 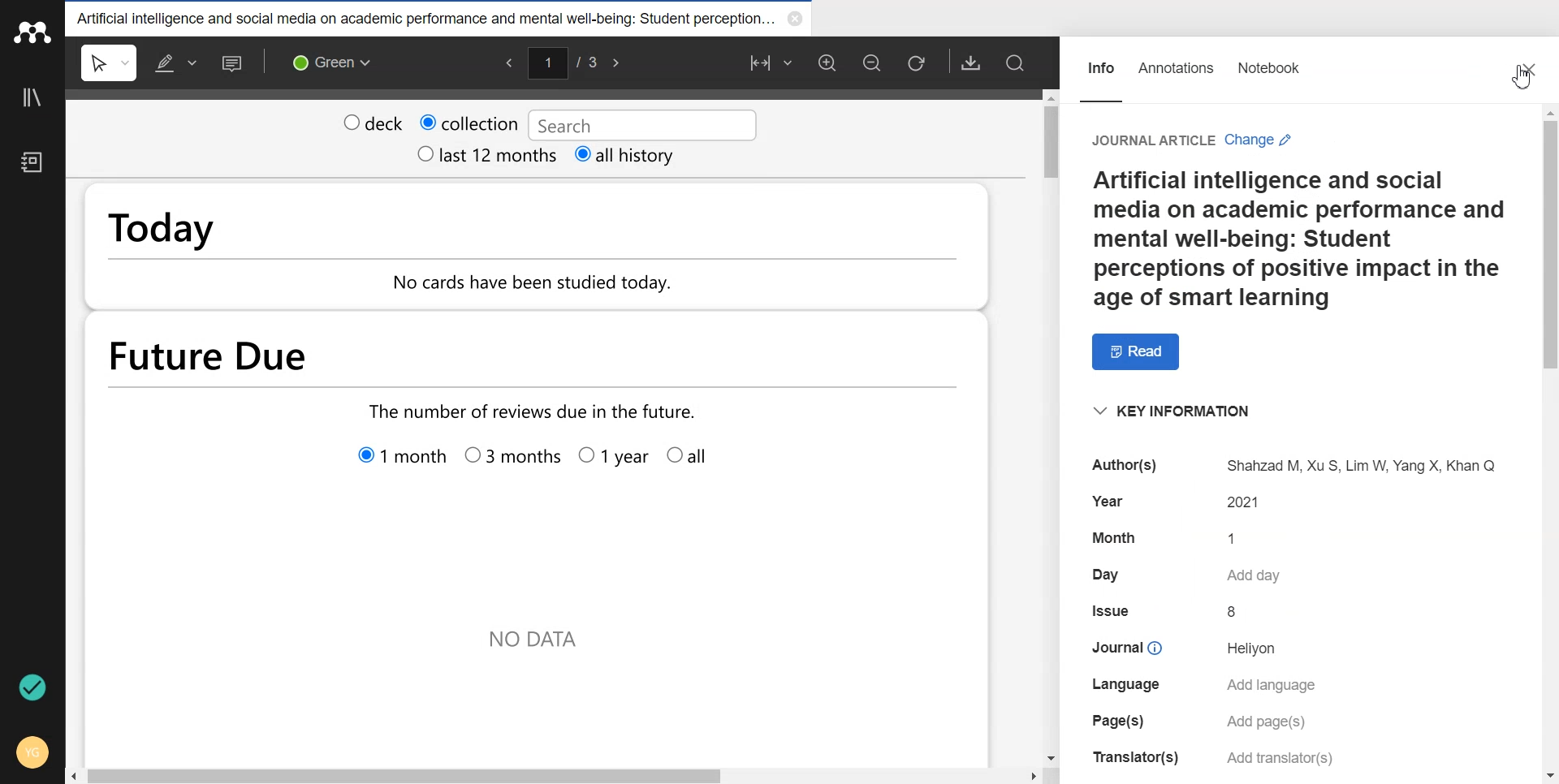 What do you see at coordinates (1272, 62) in the screenshot?
I see `Notebook` at bounding box center [1272, 62].